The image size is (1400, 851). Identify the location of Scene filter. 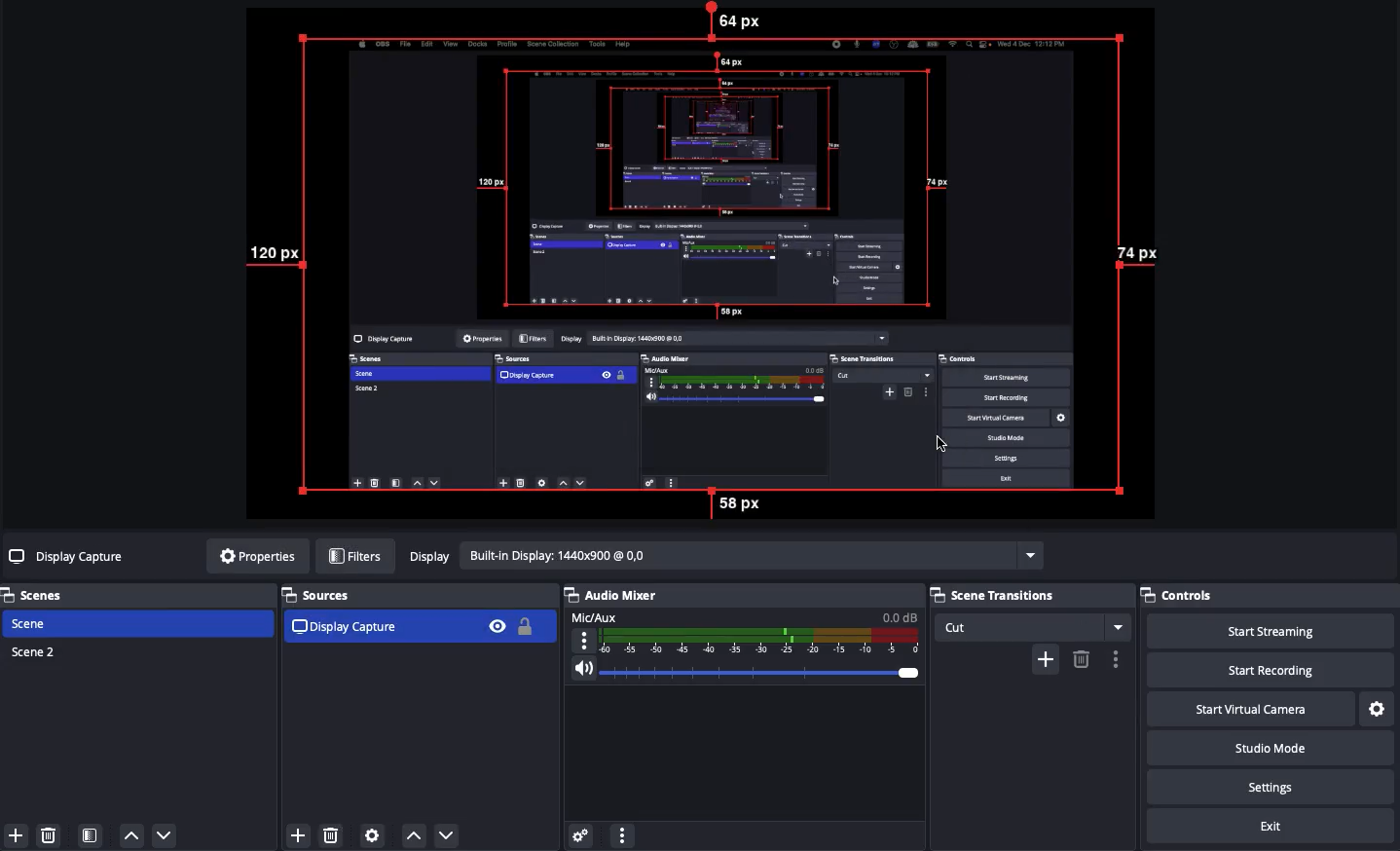
(91, 836).